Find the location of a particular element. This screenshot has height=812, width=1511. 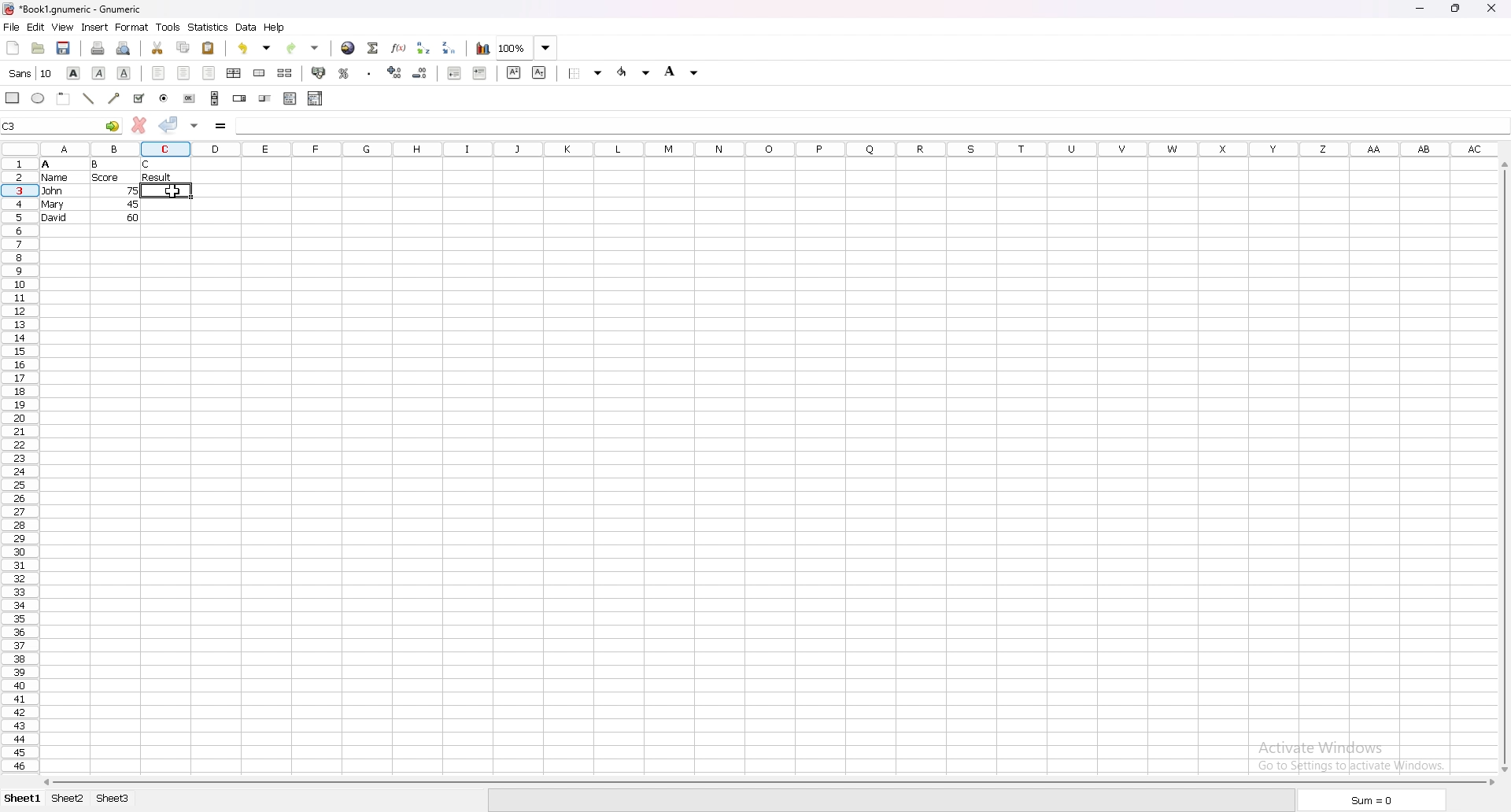

center horizontally is located at coordinates (234, 74).